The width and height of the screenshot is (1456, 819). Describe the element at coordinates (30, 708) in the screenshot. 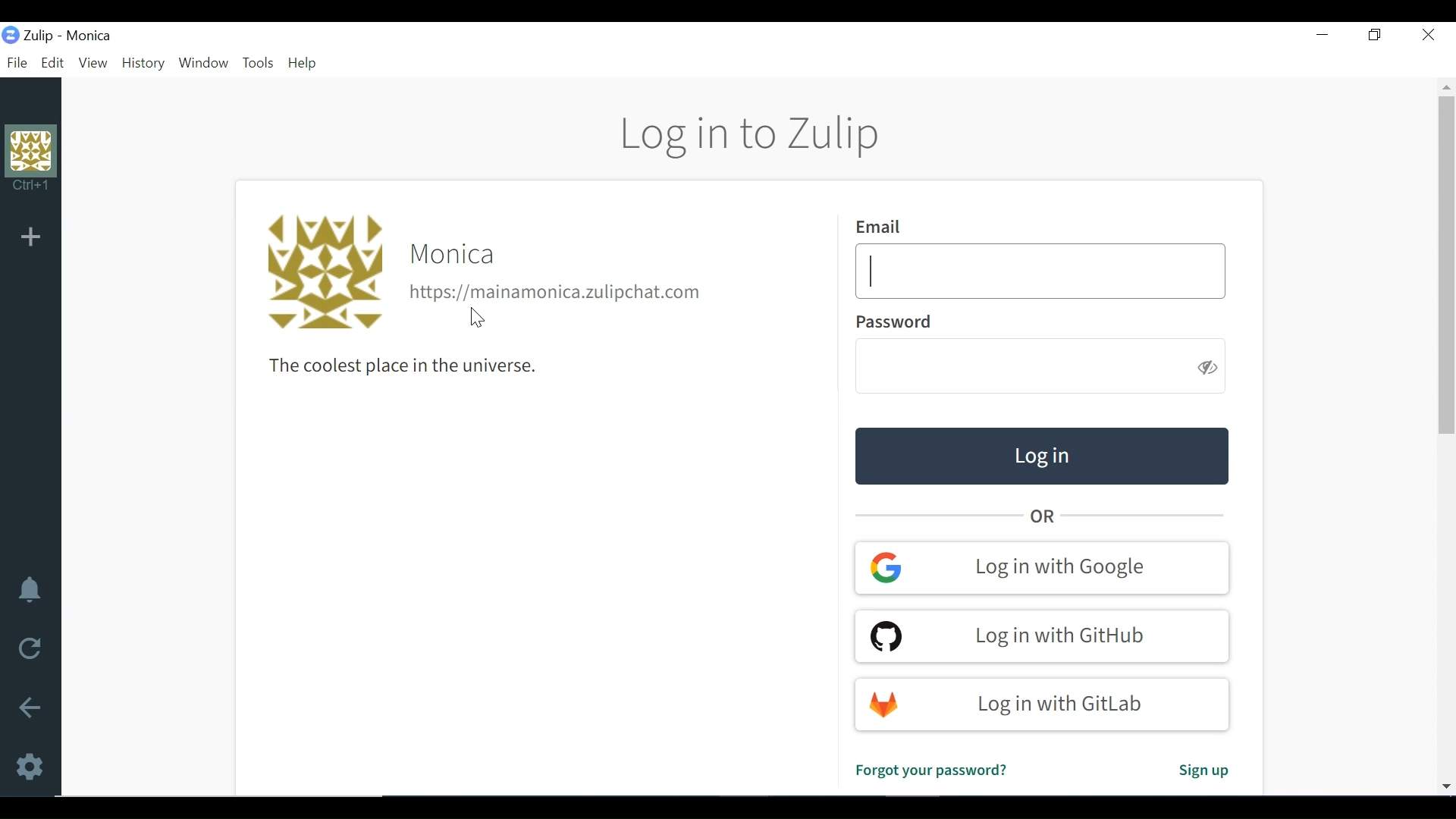

I see `Go back` at that location.